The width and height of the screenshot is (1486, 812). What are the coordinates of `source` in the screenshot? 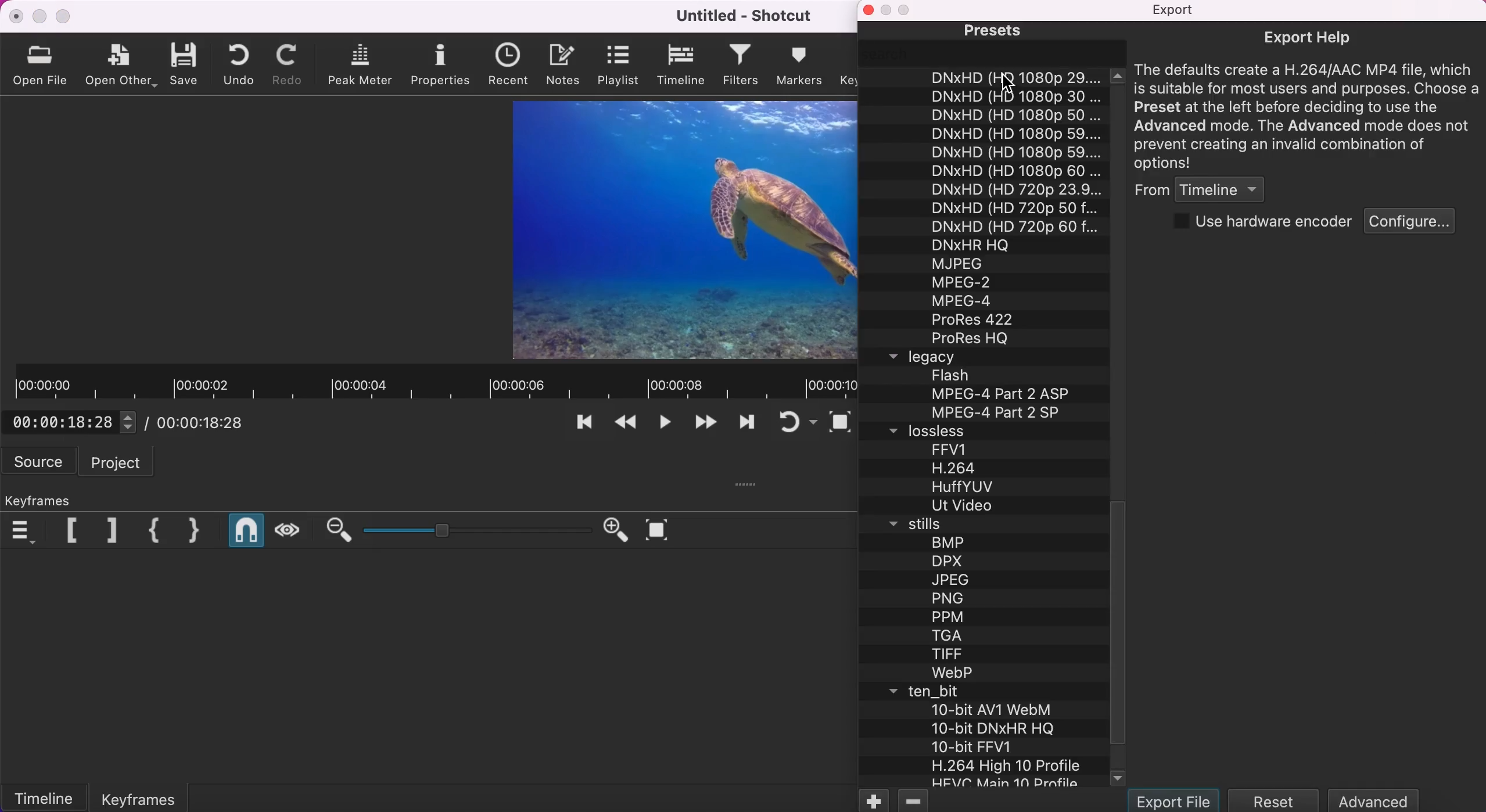 It's located at (39, 462).